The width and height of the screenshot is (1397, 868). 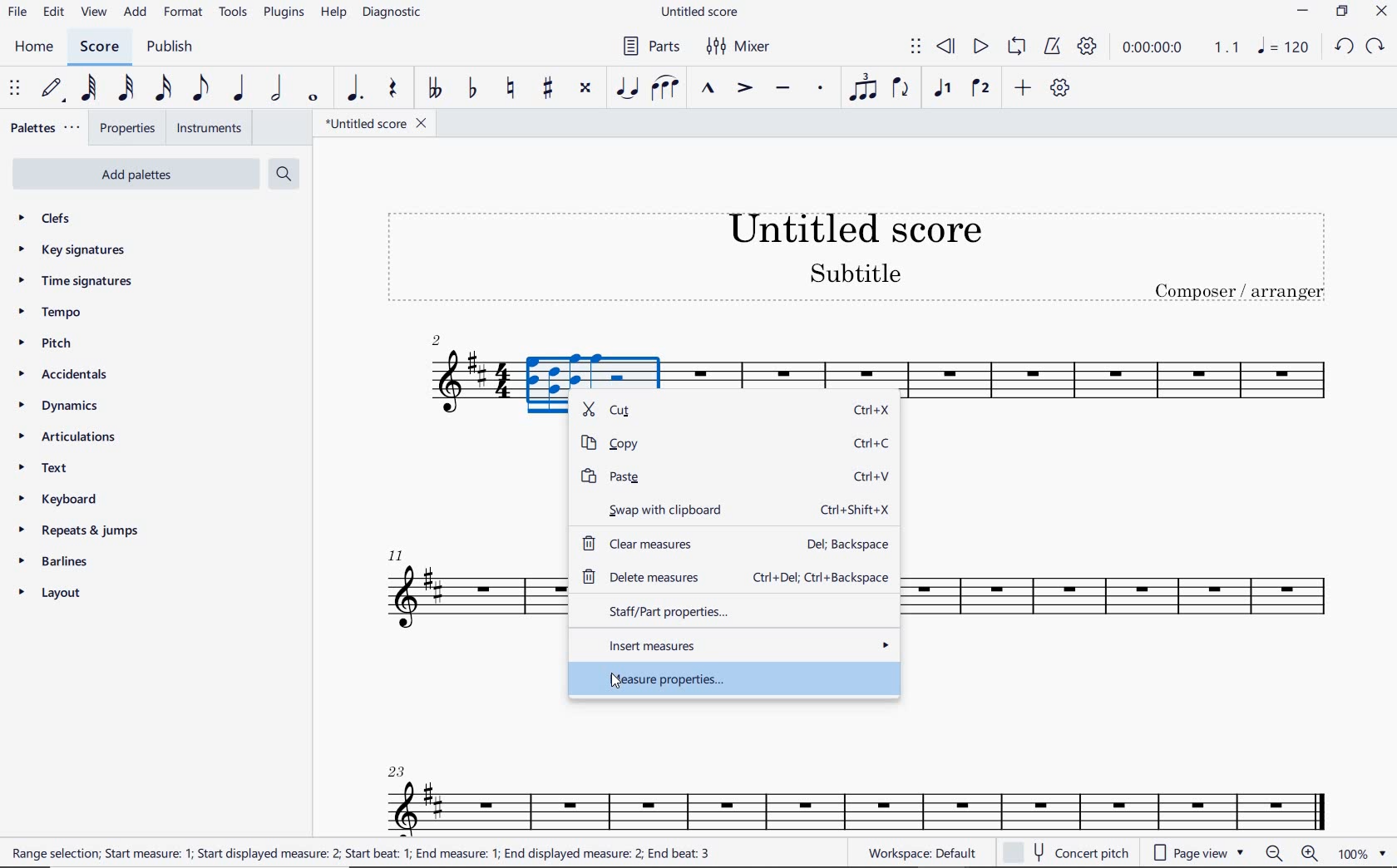 I want to click on DYNAMICS, so click(x=67, y=407).